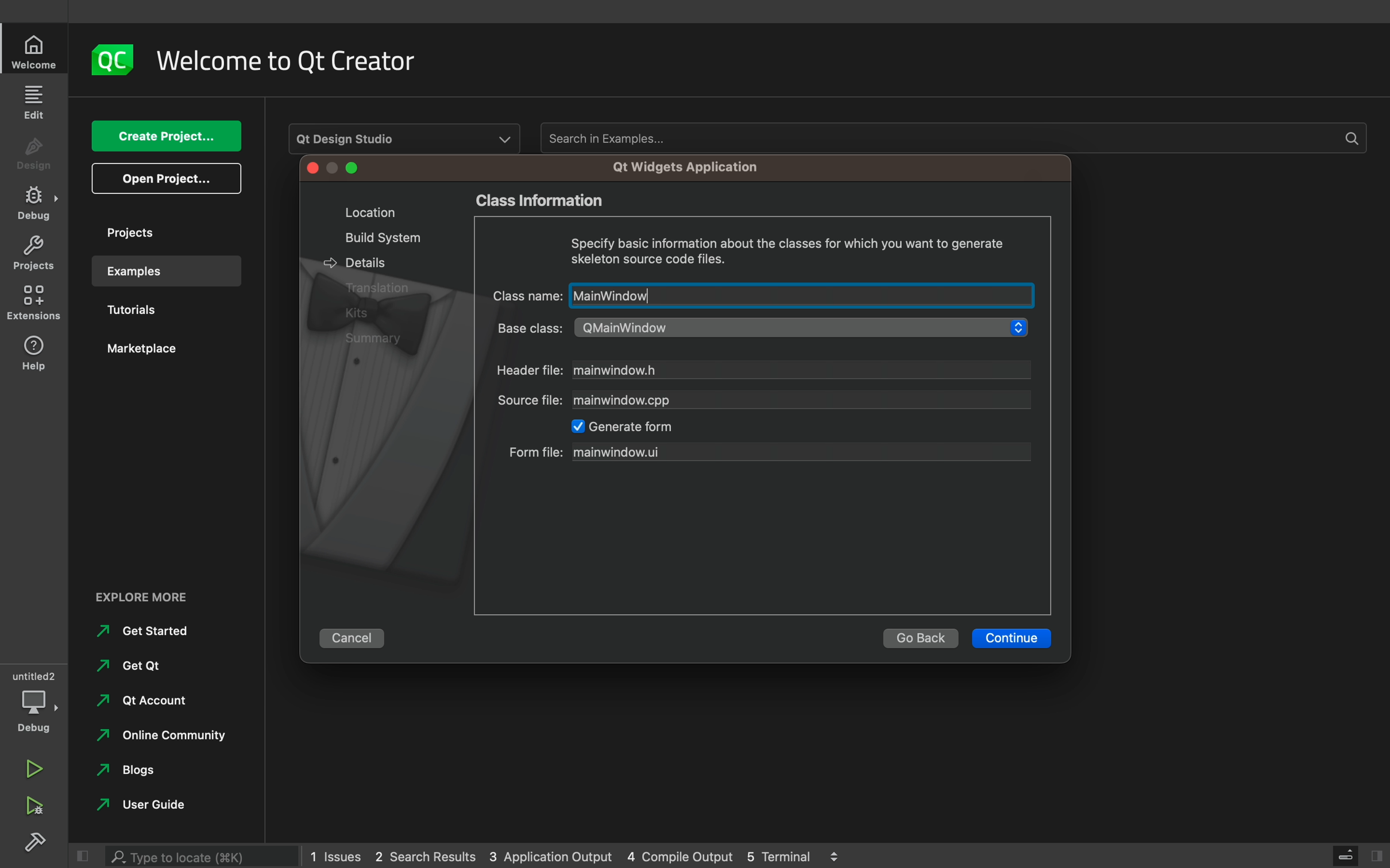 The height and width of the screenshot is (868, 1390). What do you see at coordinates (631, 427) in the screenshot?
I see `generate form` at bounding box center [631, 427].